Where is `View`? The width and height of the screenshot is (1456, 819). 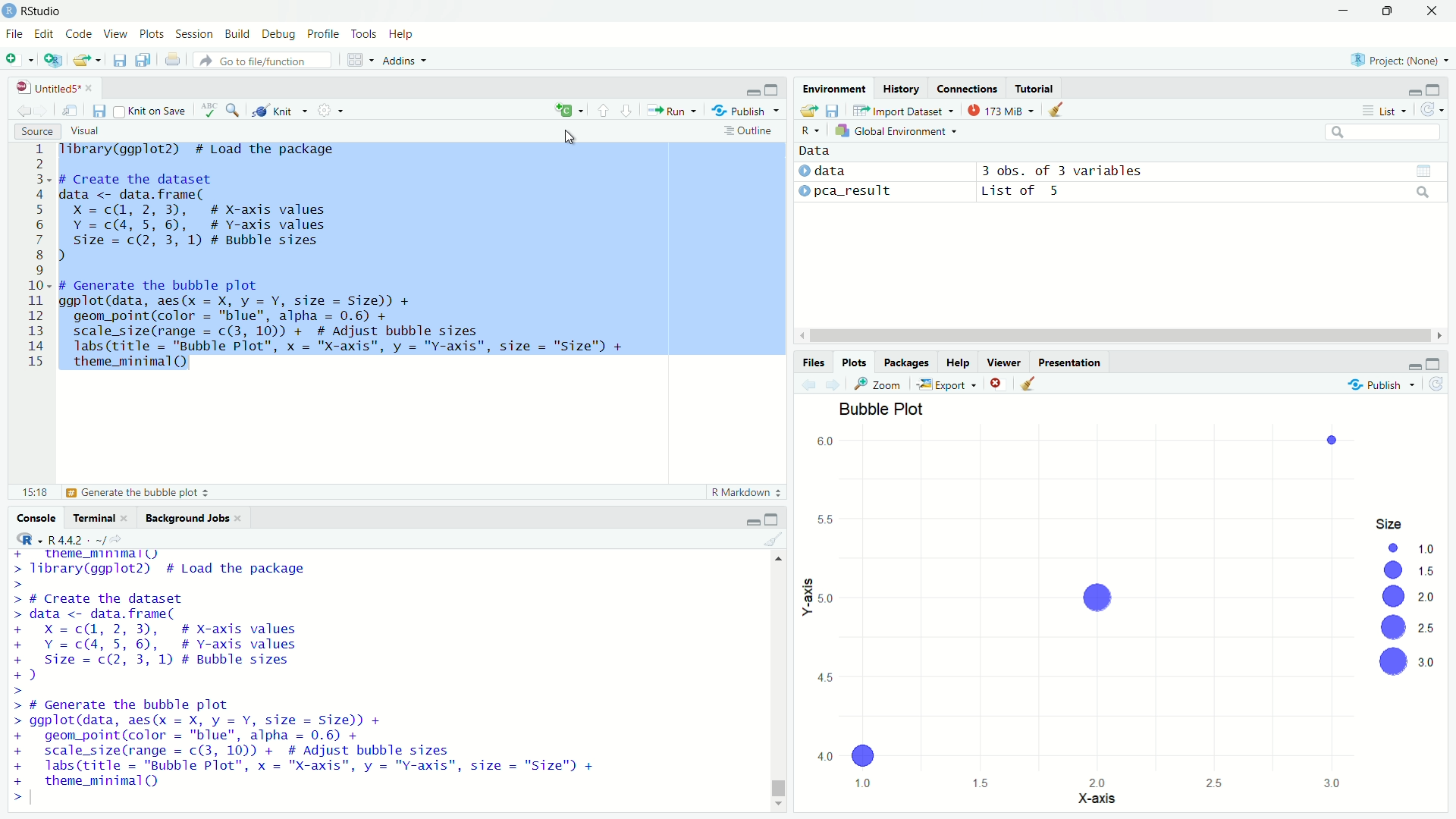
View is located at coordinates (118, 35).